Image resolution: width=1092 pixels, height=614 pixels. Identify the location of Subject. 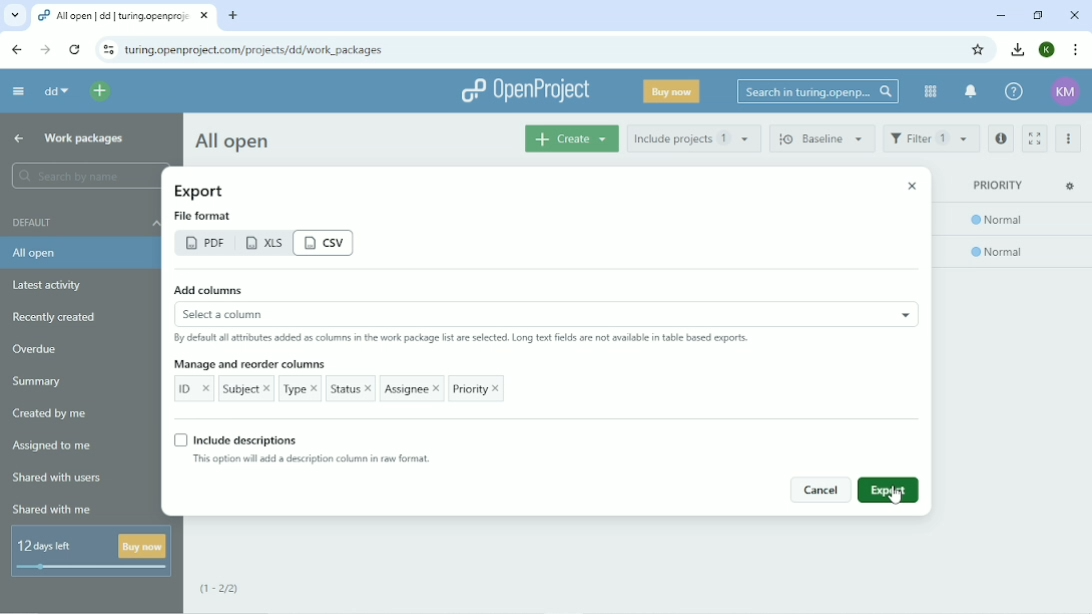
(246, 389).